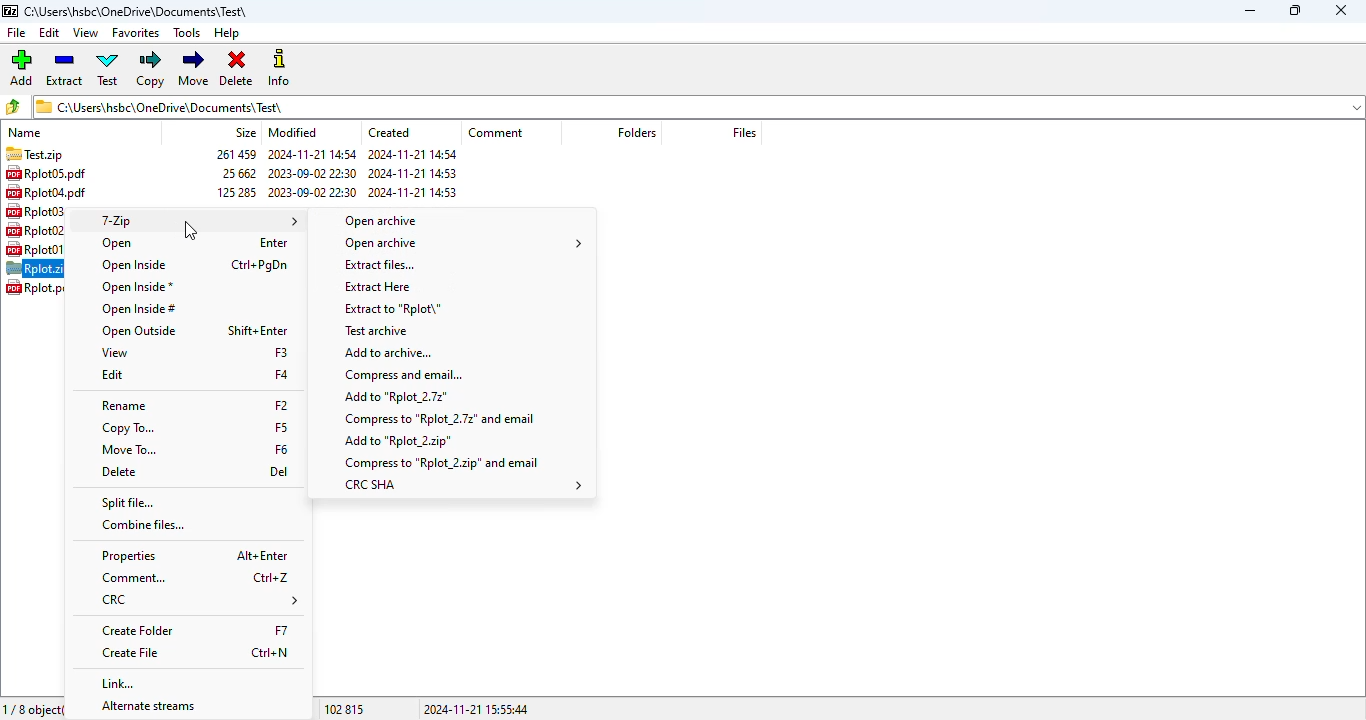 The height and width of the screenshot is (720, 1366). Describe the element at coordinates (64, 67) in the screenshot. I see `extract` at that location.